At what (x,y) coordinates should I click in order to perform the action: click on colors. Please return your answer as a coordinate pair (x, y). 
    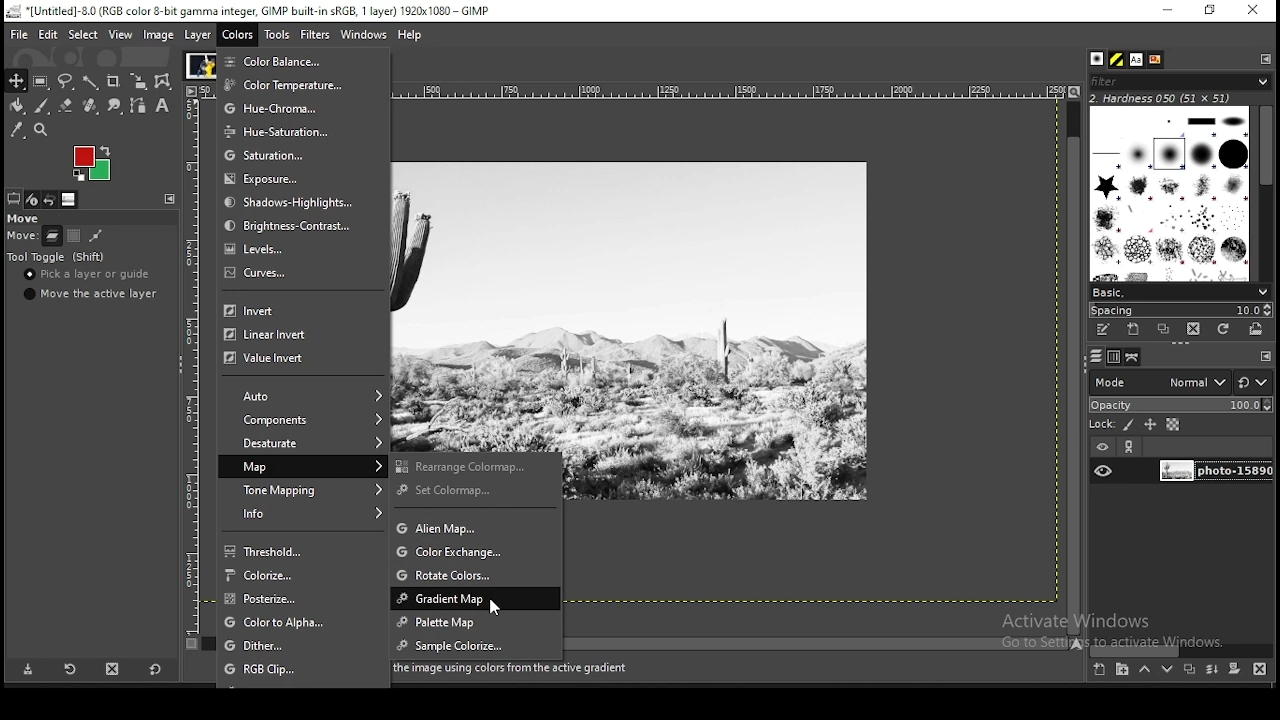
    Looking at the image, I should click on (239, 34).